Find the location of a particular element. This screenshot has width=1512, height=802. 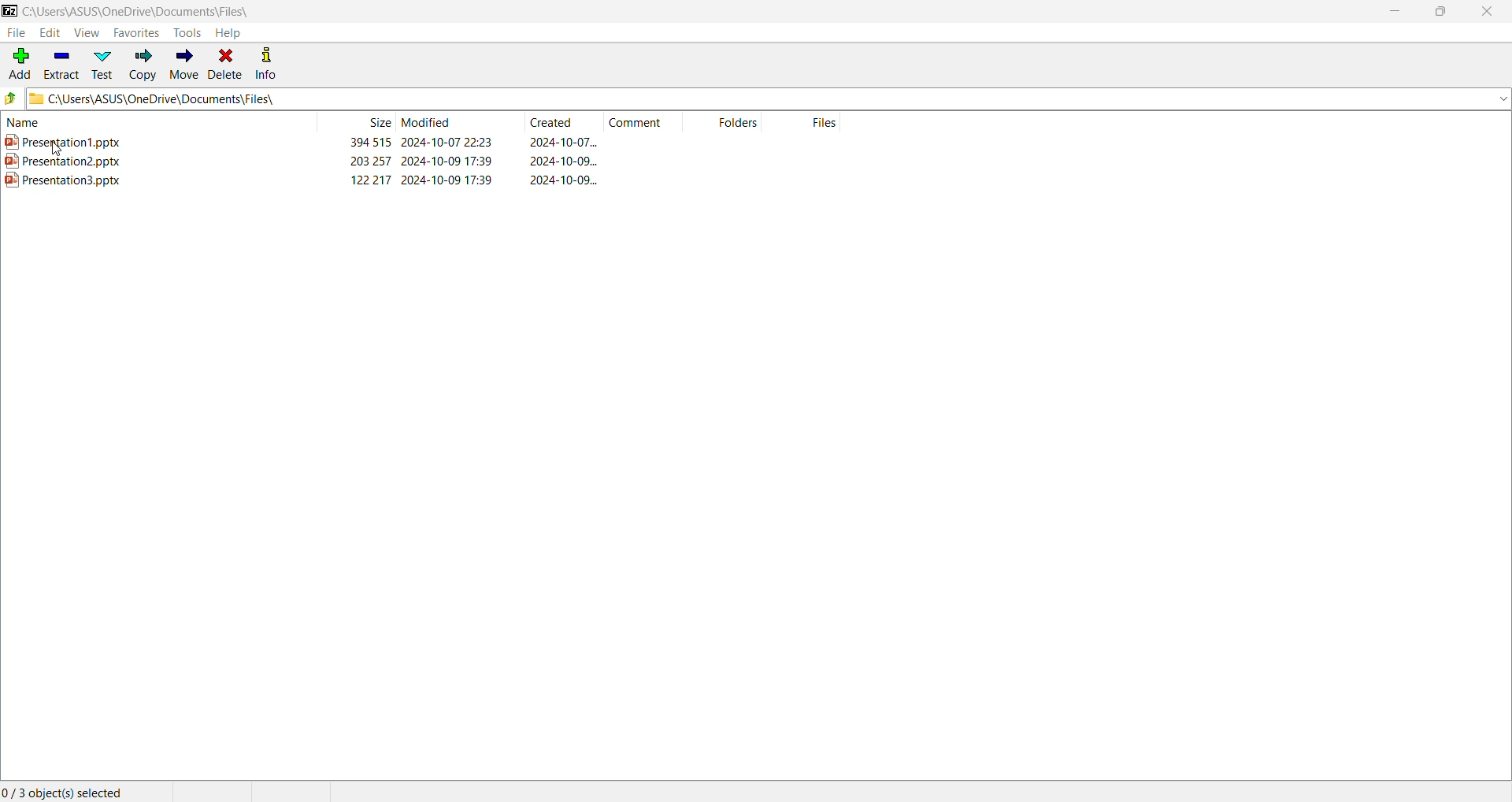

Minimize is located at coordinates (1393, 12).